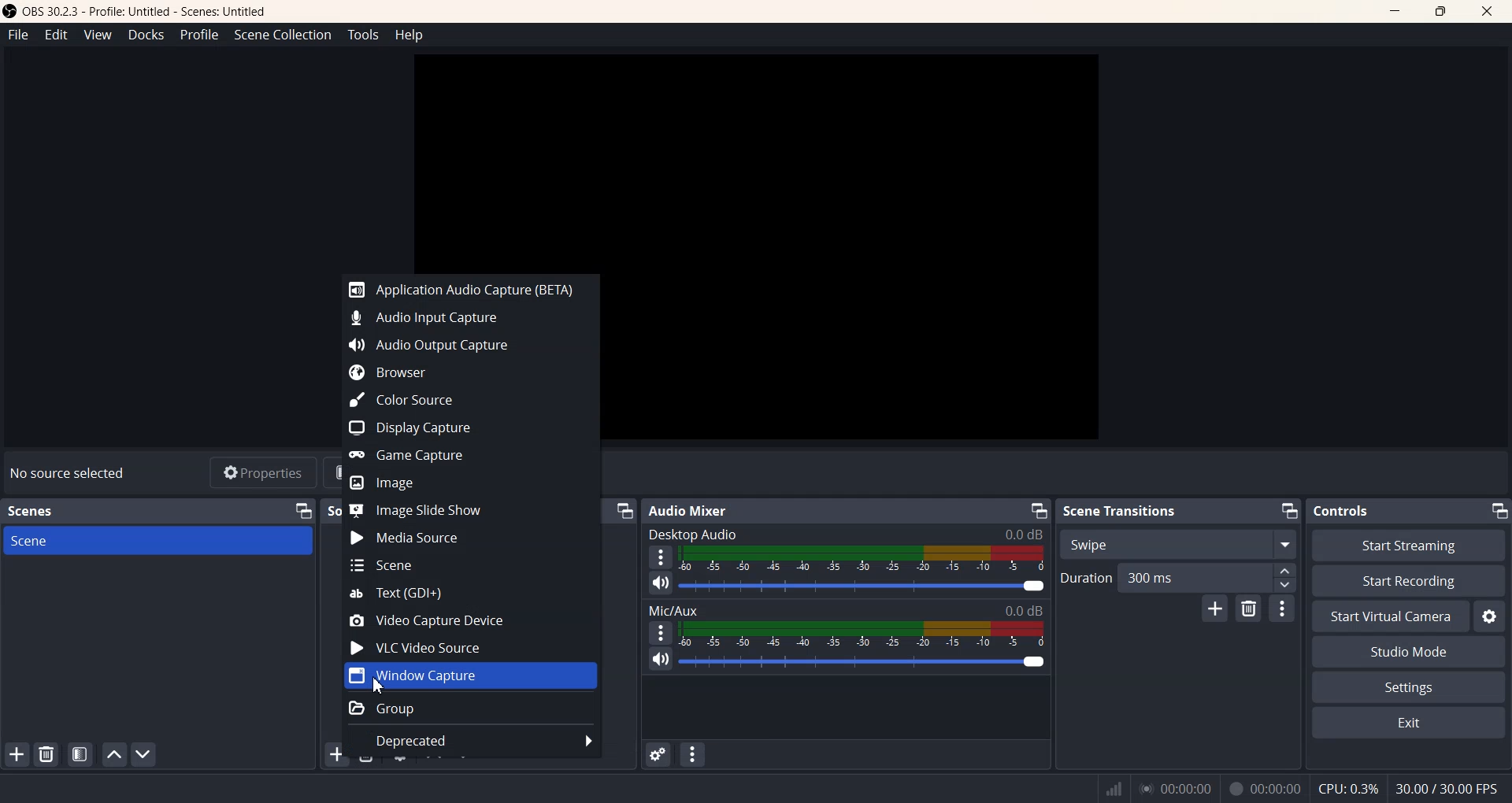 Image resolution: width=1512 pixels, height=803 pixels. What do you see at coordinates (688, 509) in the screenshot?
I see `Audio Mixer` at bounding box center [688, 509].